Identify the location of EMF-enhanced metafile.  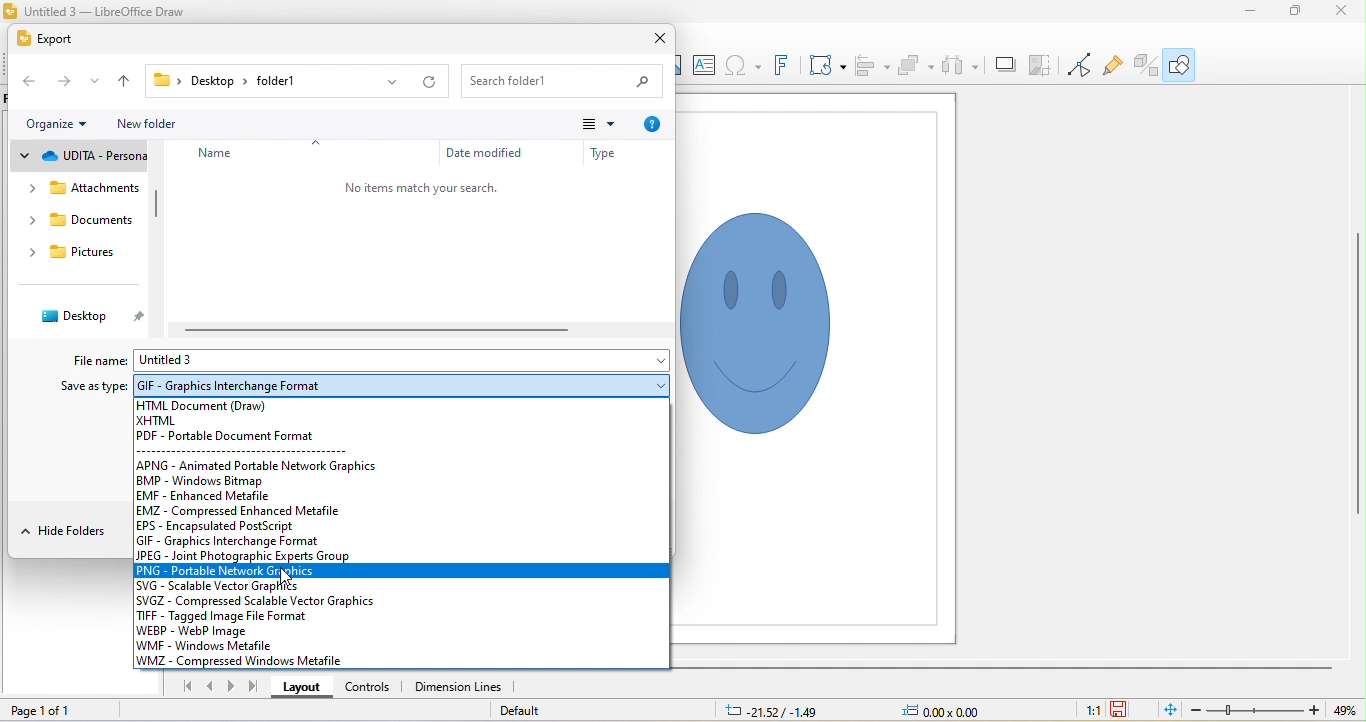
(209, 496).